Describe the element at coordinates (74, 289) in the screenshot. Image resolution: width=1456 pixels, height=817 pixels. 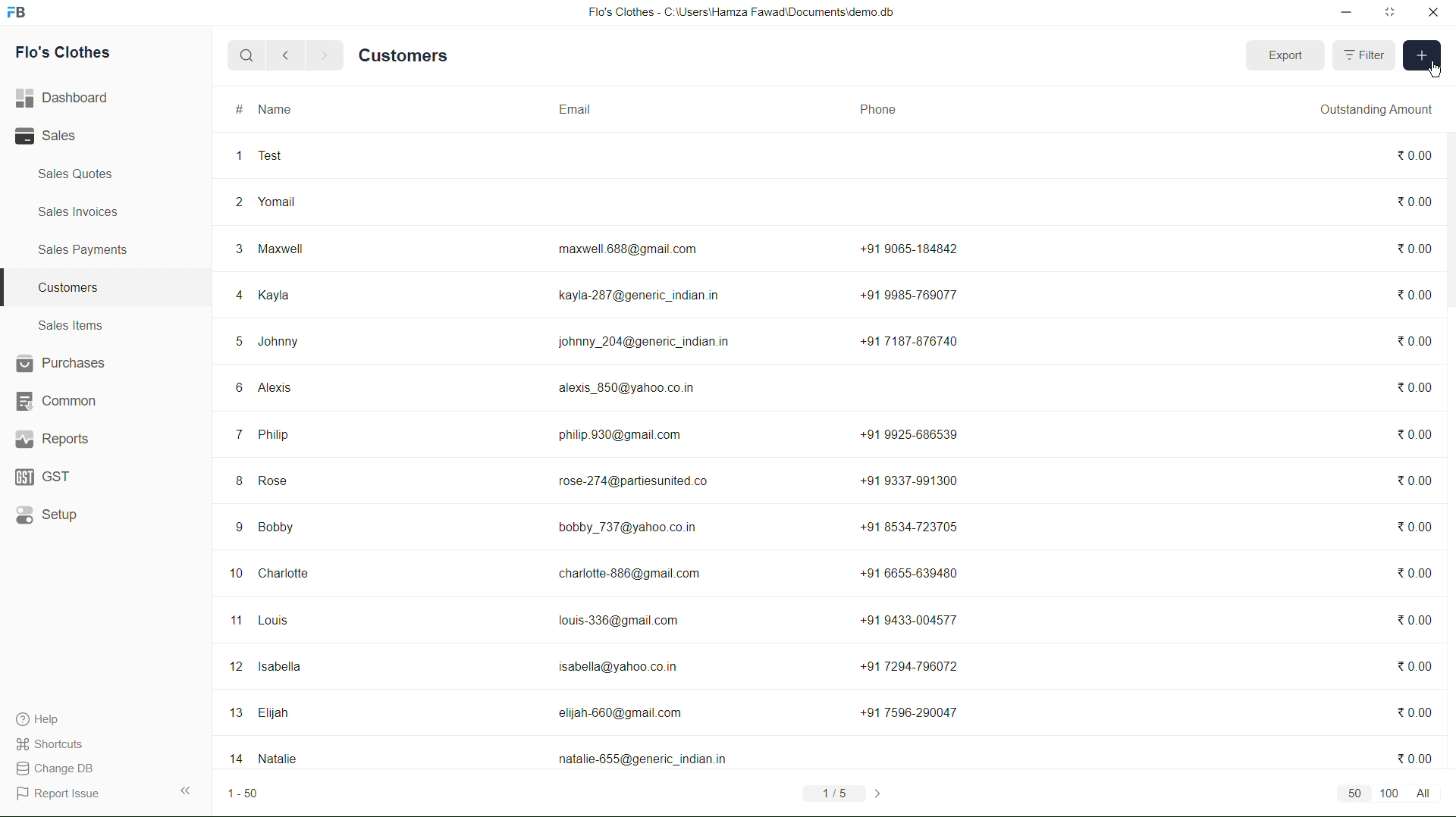
I see `Customers` at that location.